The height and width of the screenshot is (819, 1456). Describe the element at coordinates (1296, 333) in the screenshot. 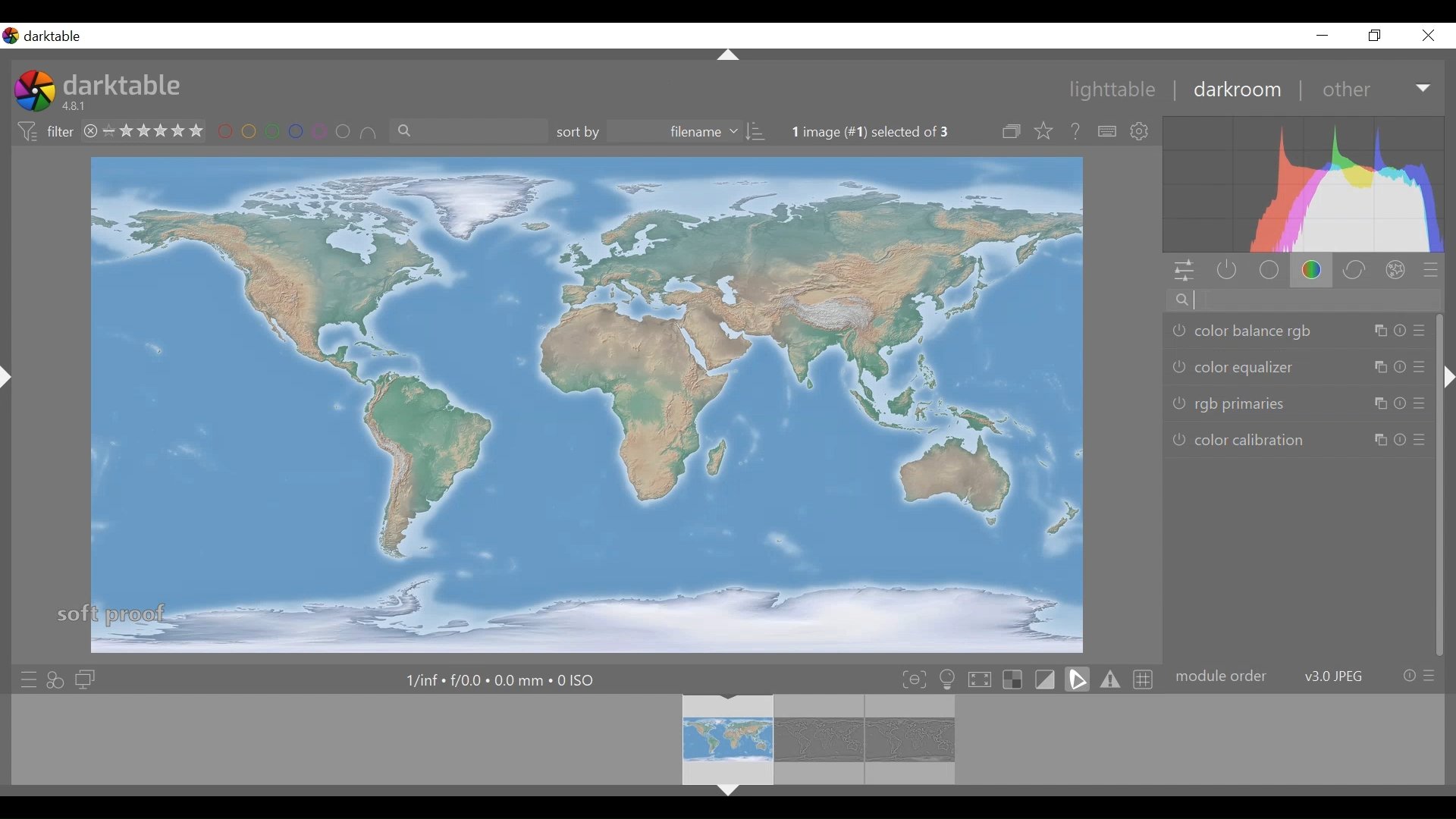

I see `color balance rgb` at that location.